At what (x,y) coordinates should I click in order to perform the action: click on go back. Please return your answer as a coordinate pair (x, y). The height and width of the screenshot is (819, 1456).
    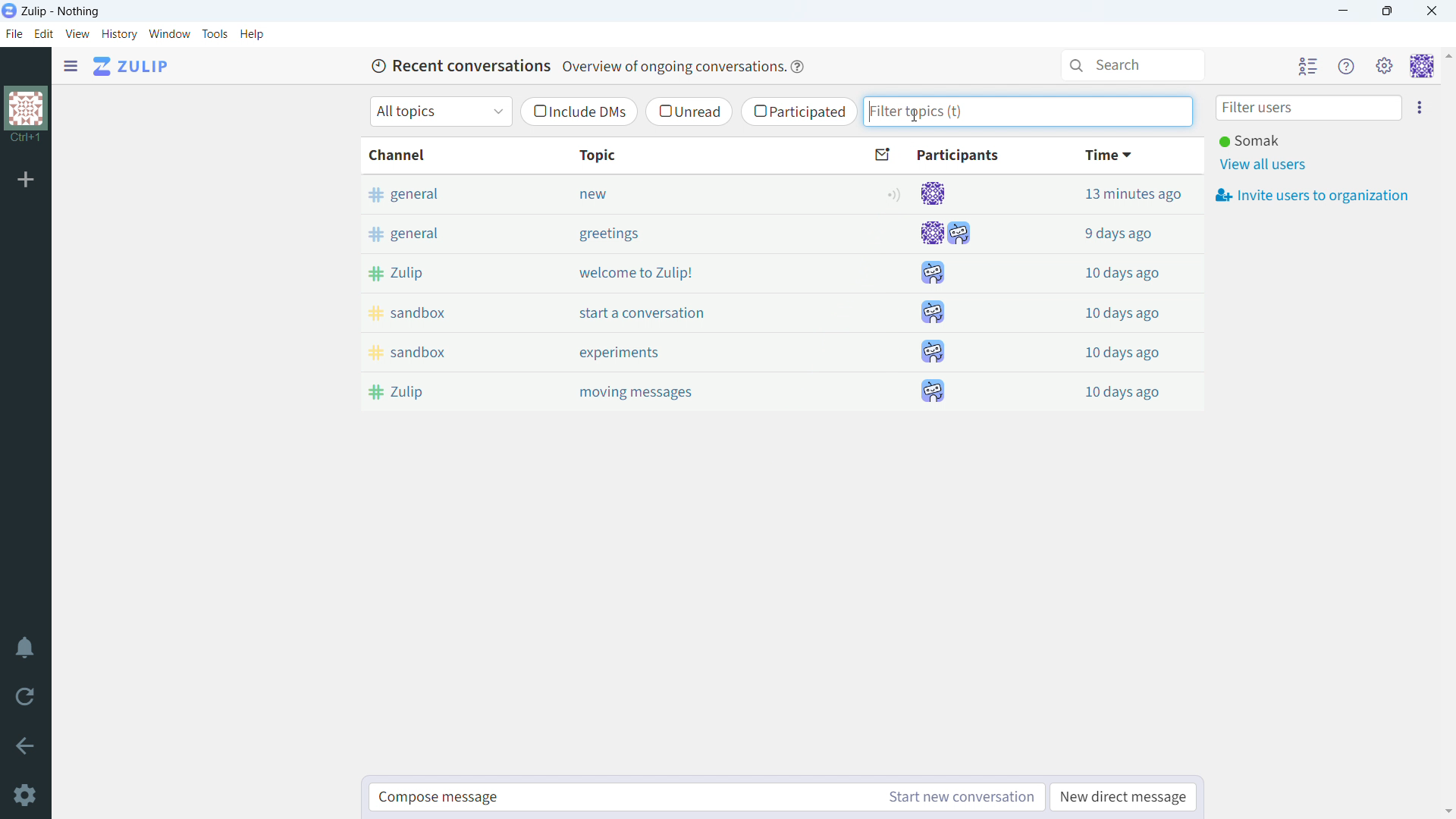
    Looking at the image, I should click on (26, 746).